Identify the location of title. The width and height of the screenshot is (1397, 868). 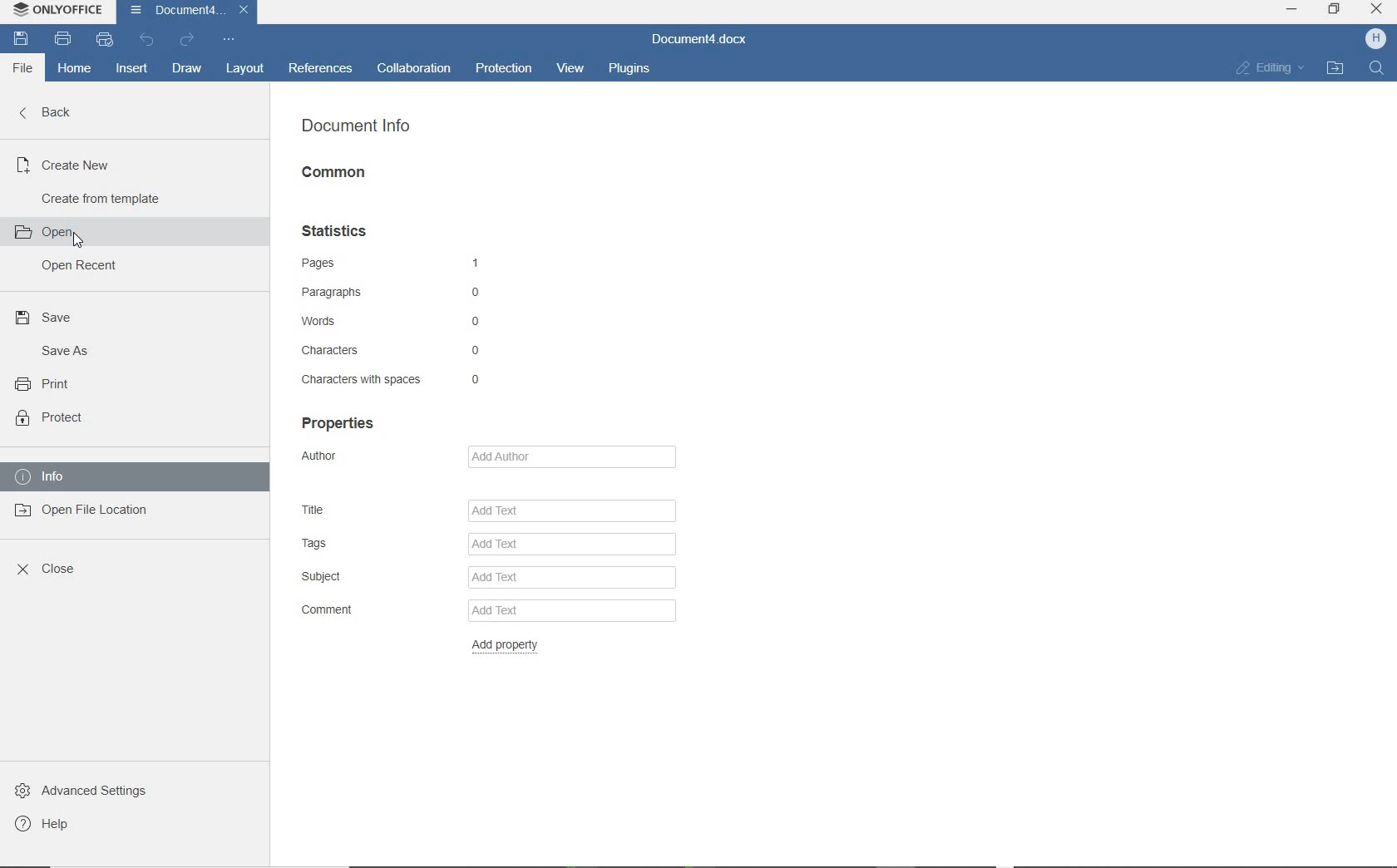
(318, 510).